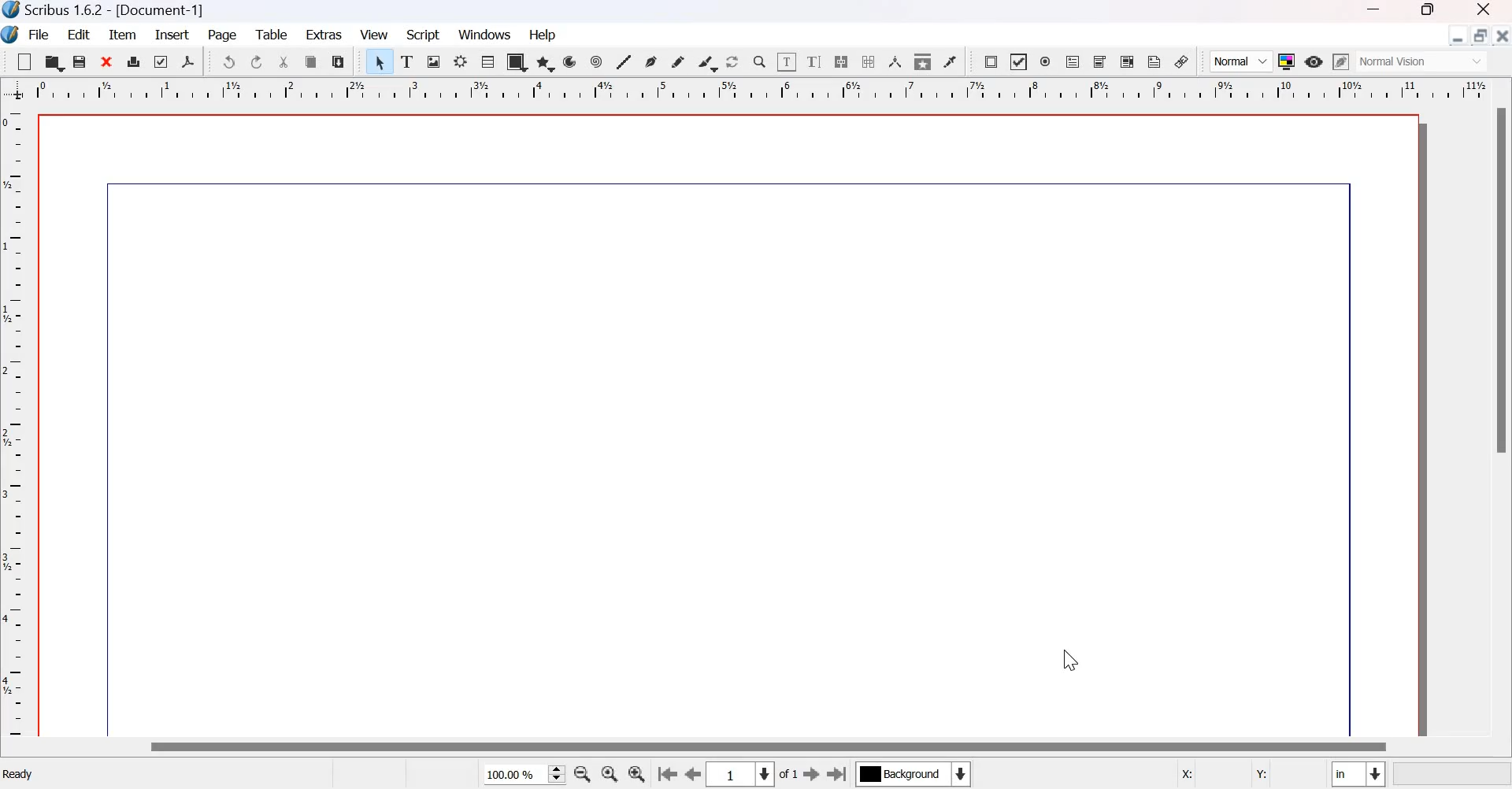 Image resolution: width=1512 pixels, height=789 pixels. Describe the element at coordinates (546, 62) in the screenshot. I see `arc` at that location.